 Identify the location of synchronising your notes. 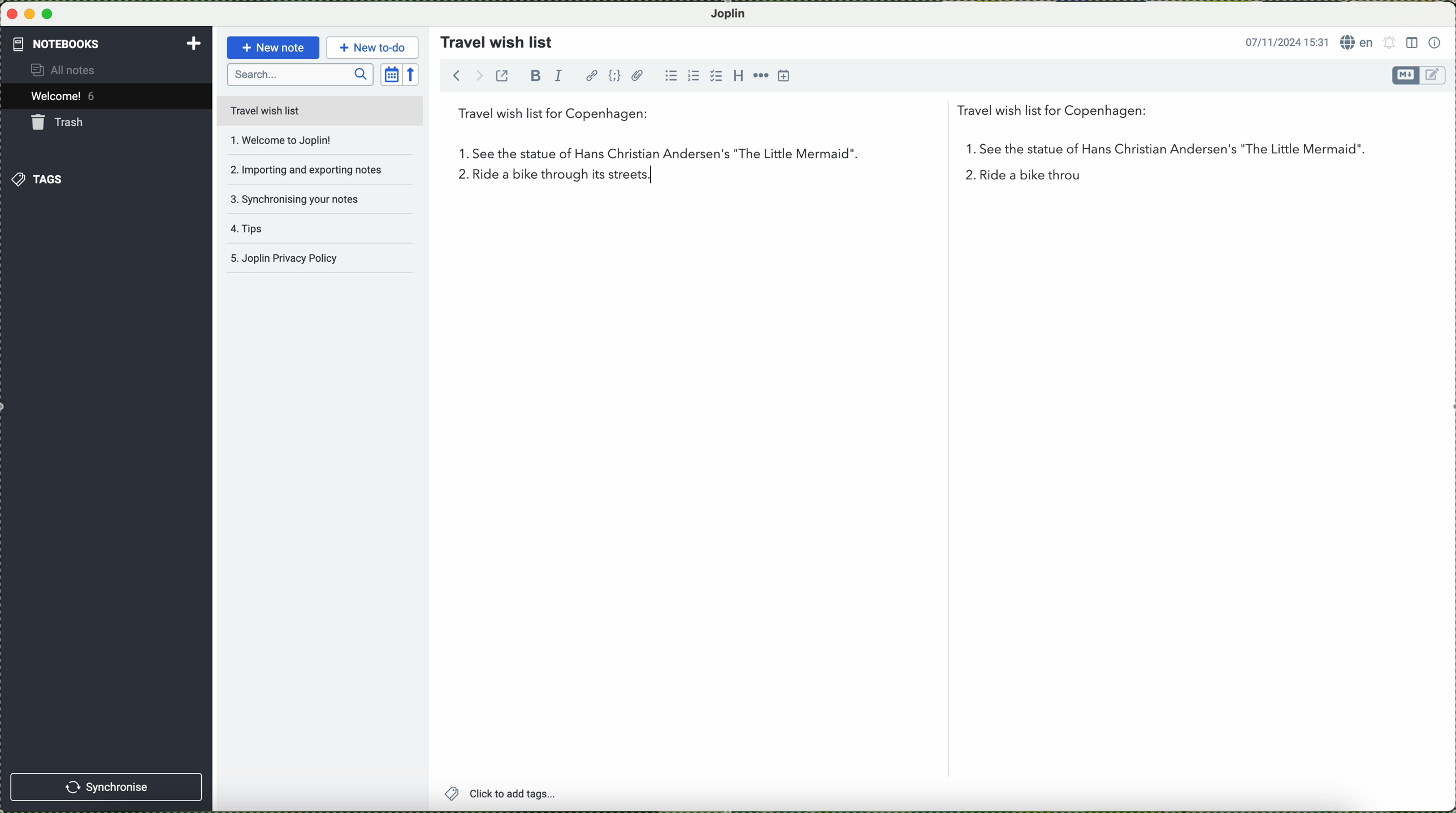
(304, 198).